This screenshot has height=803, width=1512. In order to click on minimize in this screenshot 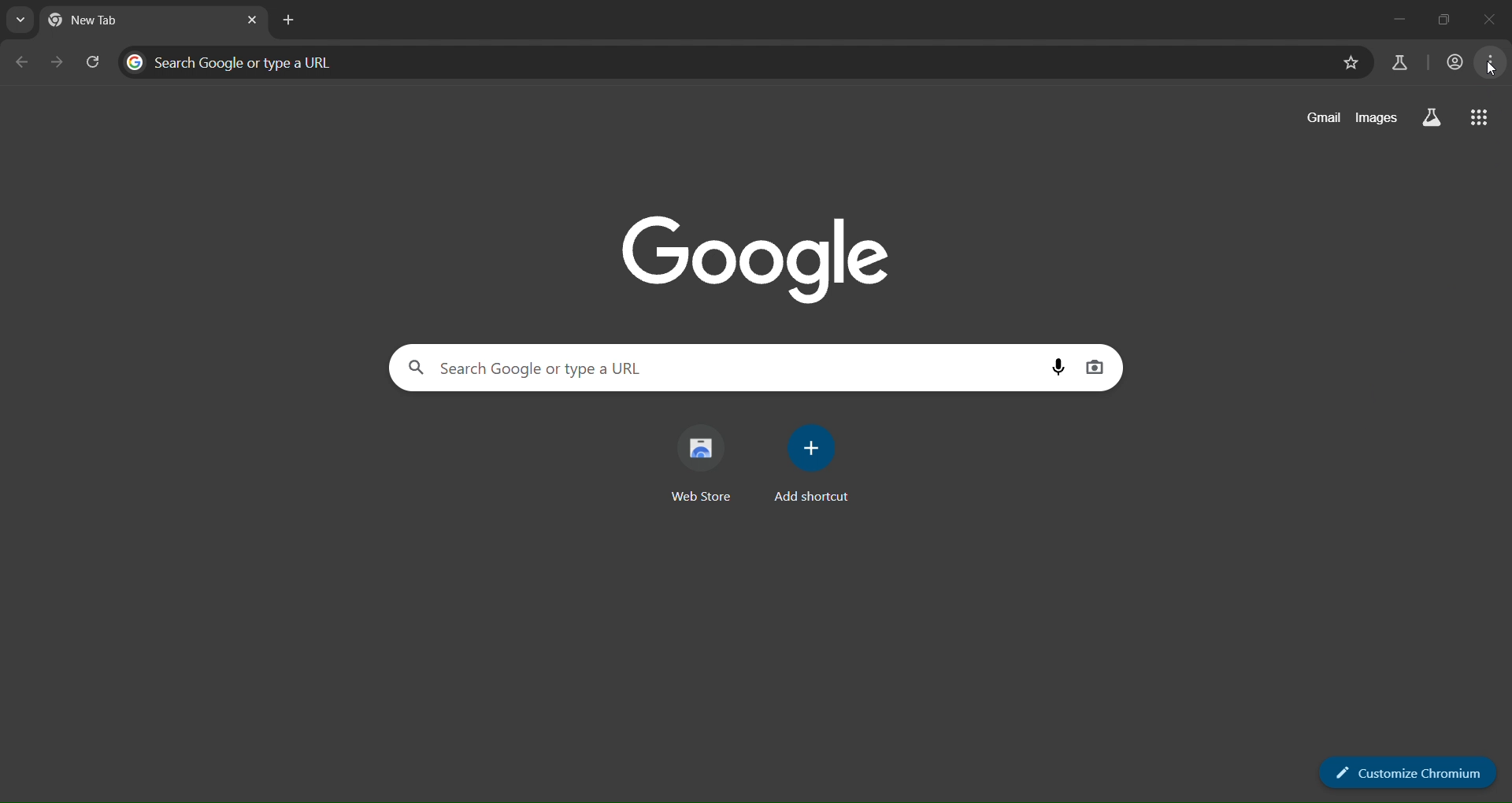, I will do `click(1389, 15)`.